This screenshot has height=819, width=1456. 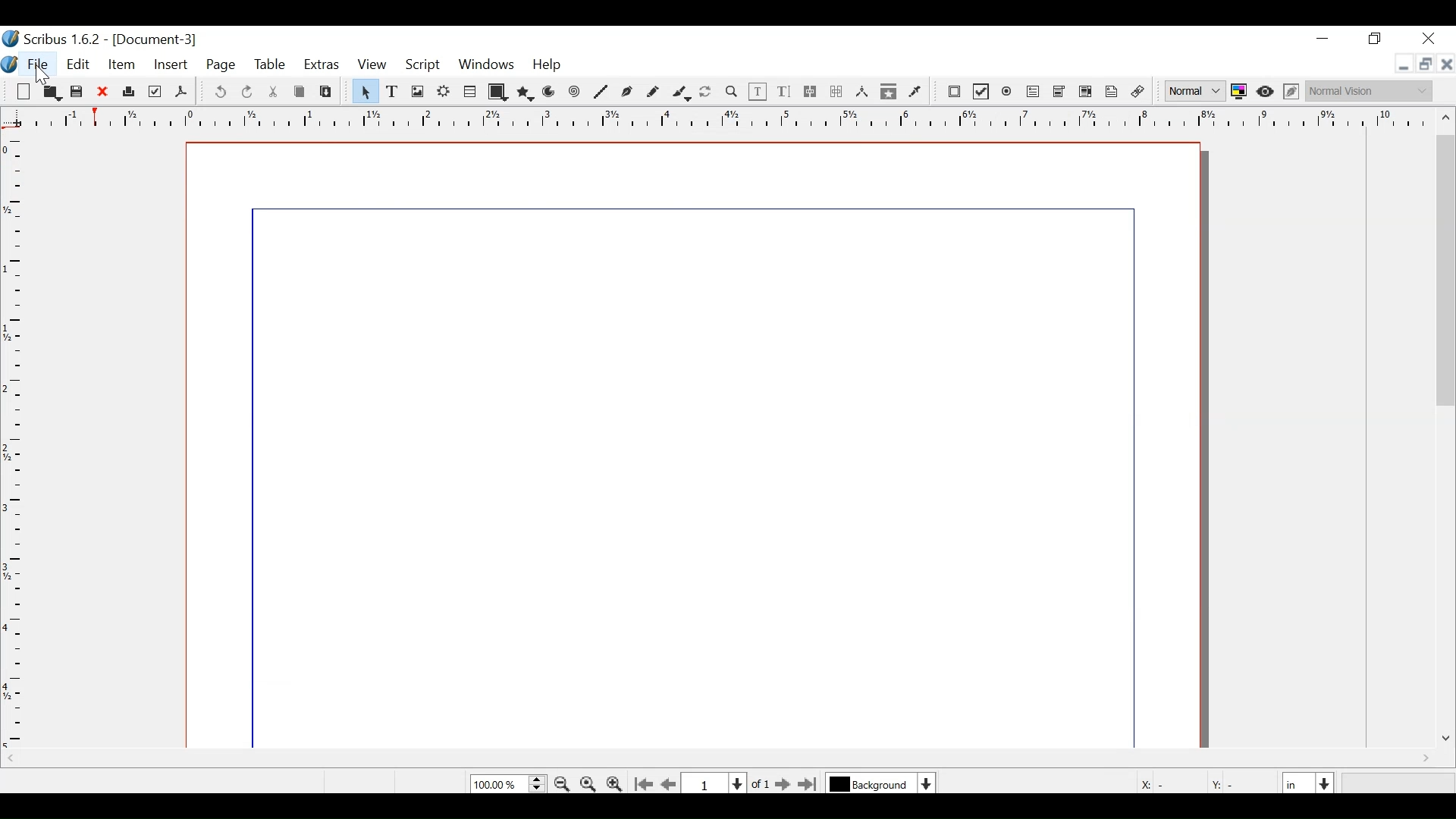 I want to click on Extras, so click(x=322, y=65).